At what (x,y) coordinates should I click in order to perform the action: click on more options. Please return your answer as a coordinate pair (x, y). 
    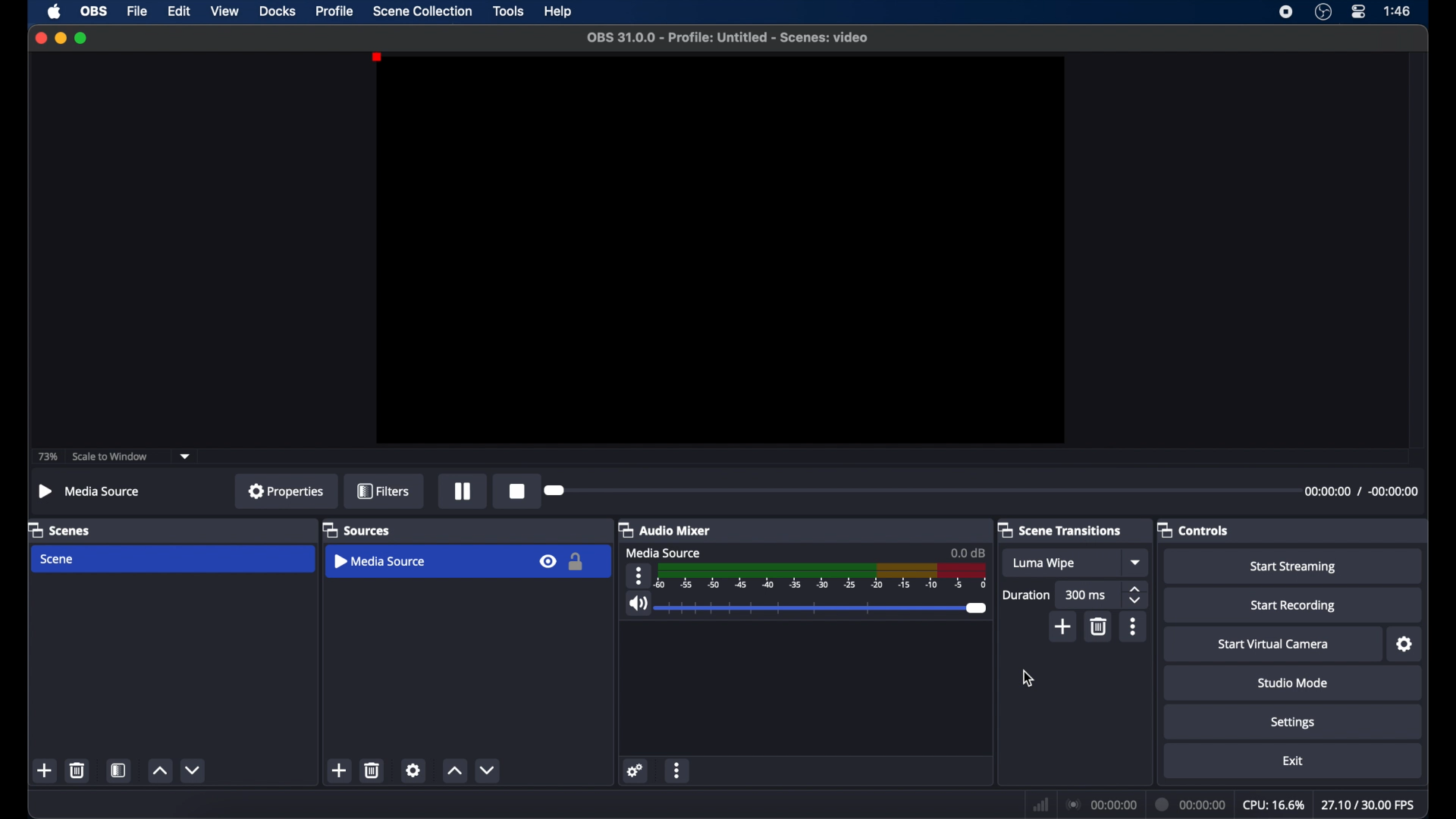
    Looking at the image, I should click on (1134, 626).